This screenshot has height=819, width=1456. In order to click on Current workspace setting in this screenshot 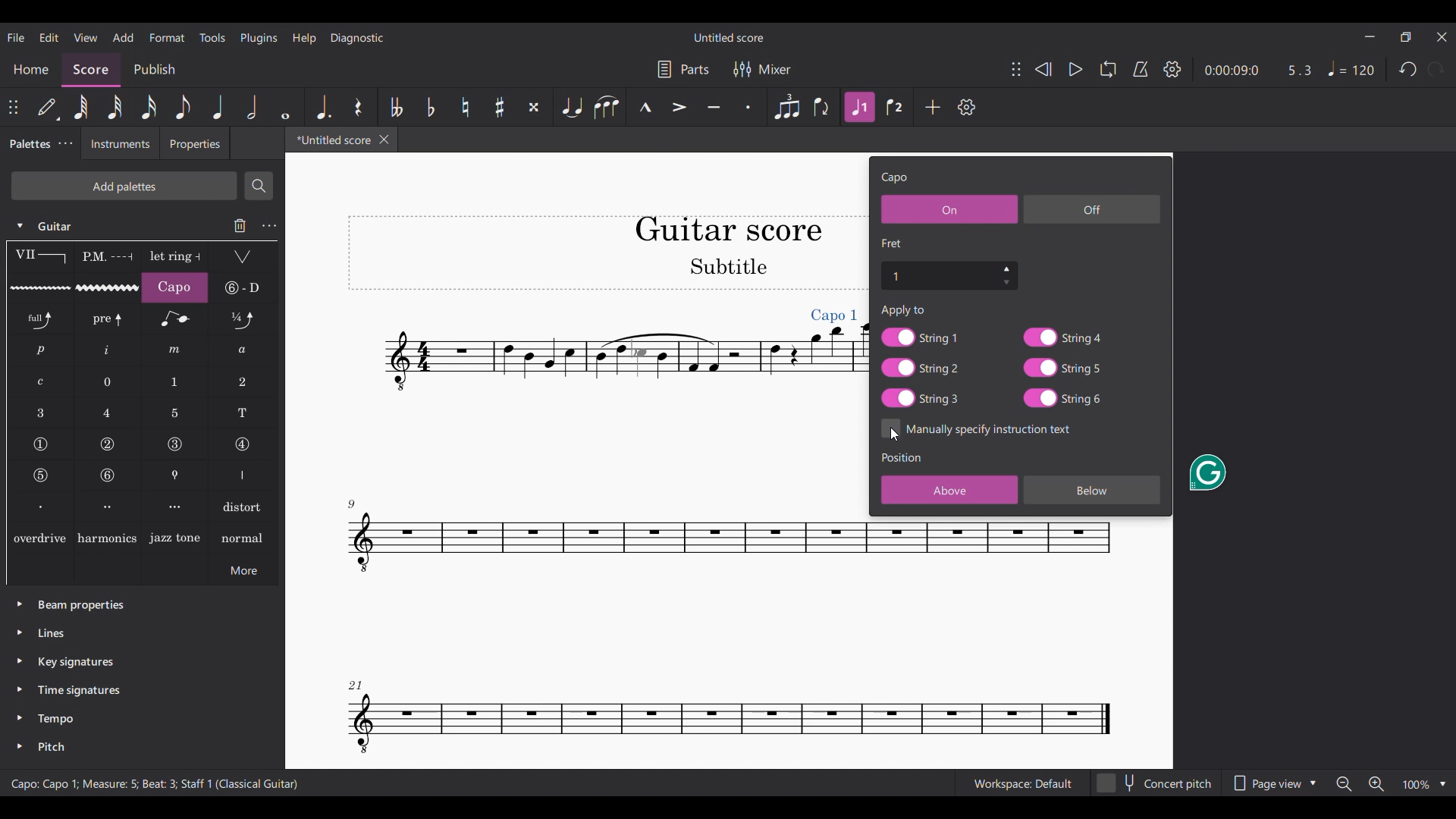, I will do `click(1022, 783)`.